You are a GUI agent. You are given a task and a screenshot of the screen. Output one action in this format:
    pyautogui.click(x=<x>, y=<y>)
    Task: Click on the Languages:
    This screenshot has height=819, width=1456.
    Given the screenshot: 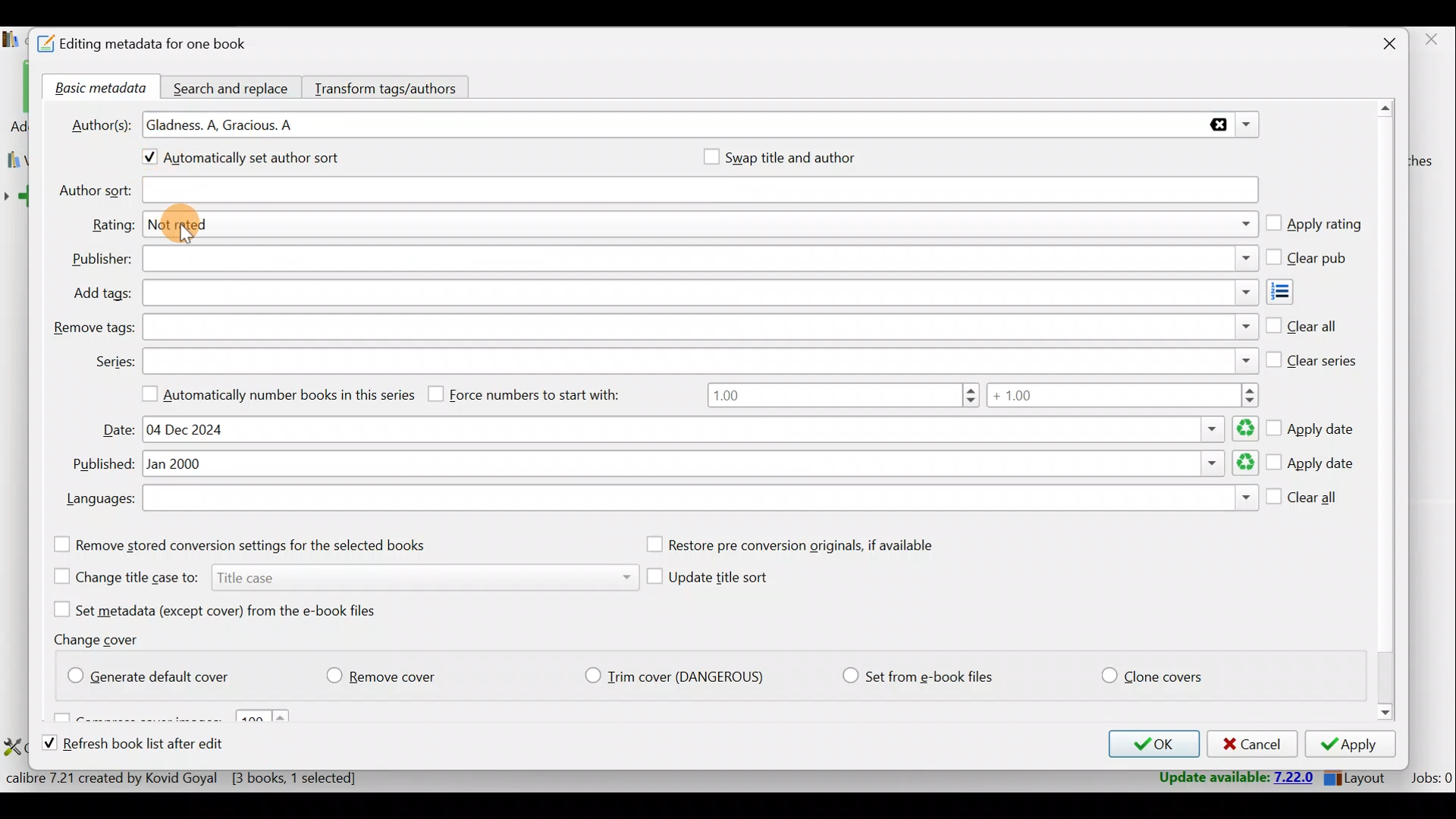 What is the action you would take?
    pyautogui.click(x=99, y=500)
    